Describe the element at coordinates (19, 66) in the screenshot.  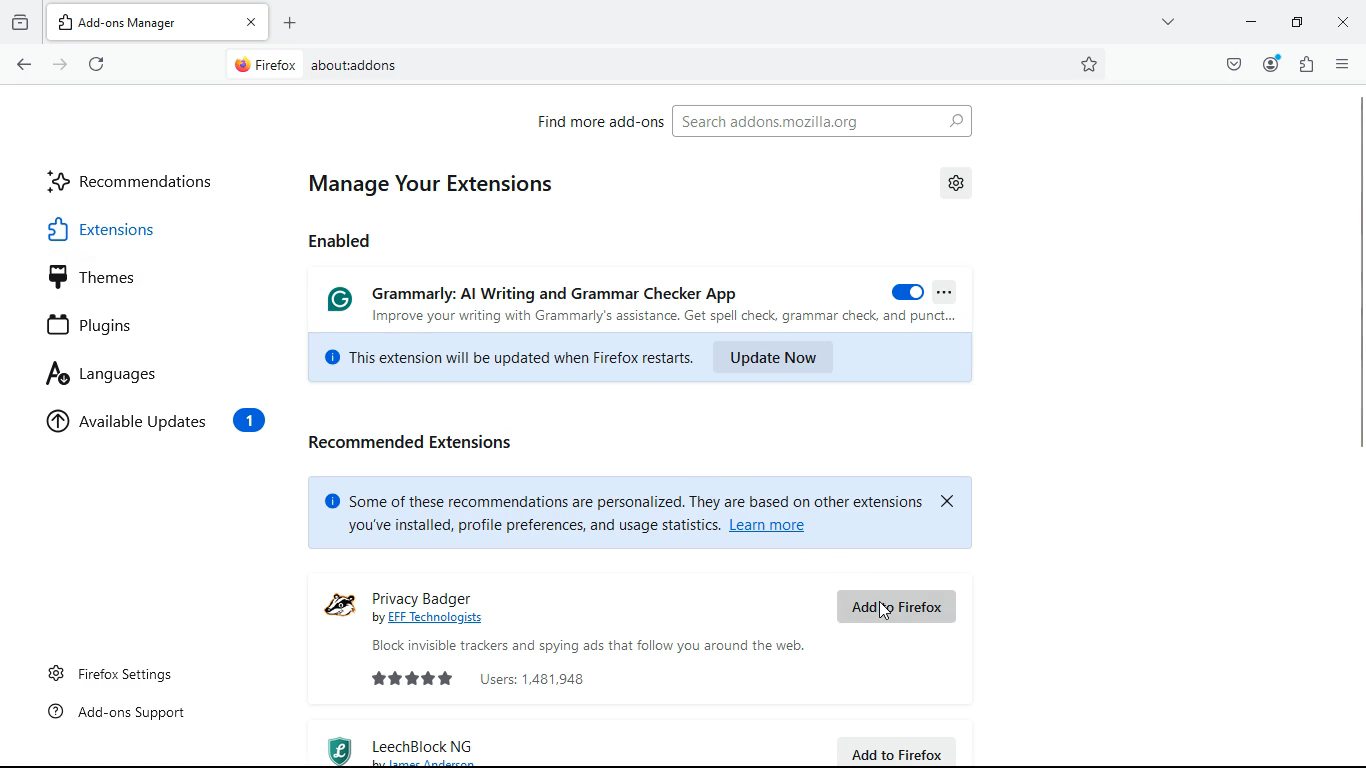
I see `back` at that location.